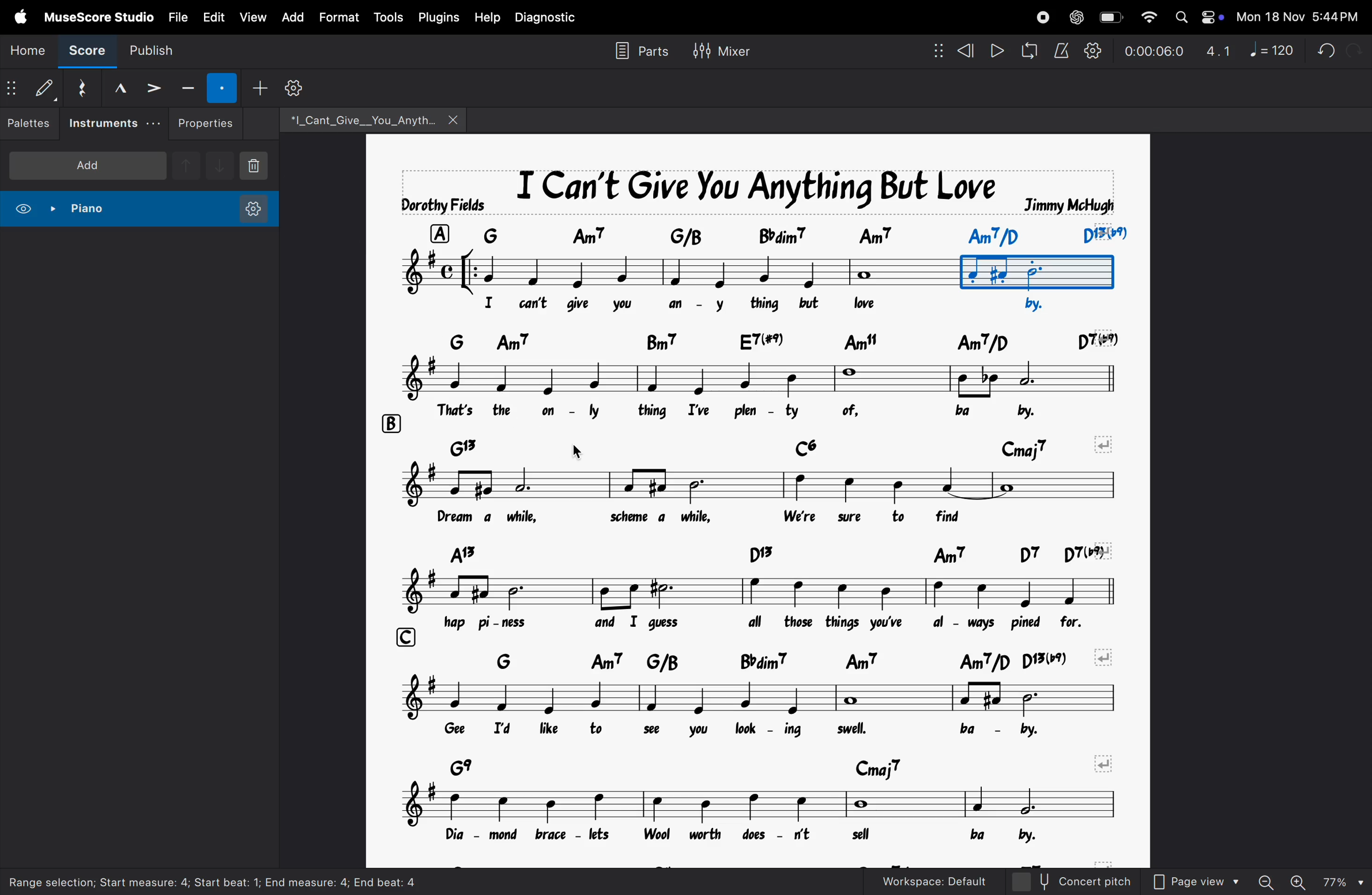 This screenshot has height=895, width=1372. Describe the element at coordinates (550, 20) in the screenshot. I see `diagnostic` at that location.